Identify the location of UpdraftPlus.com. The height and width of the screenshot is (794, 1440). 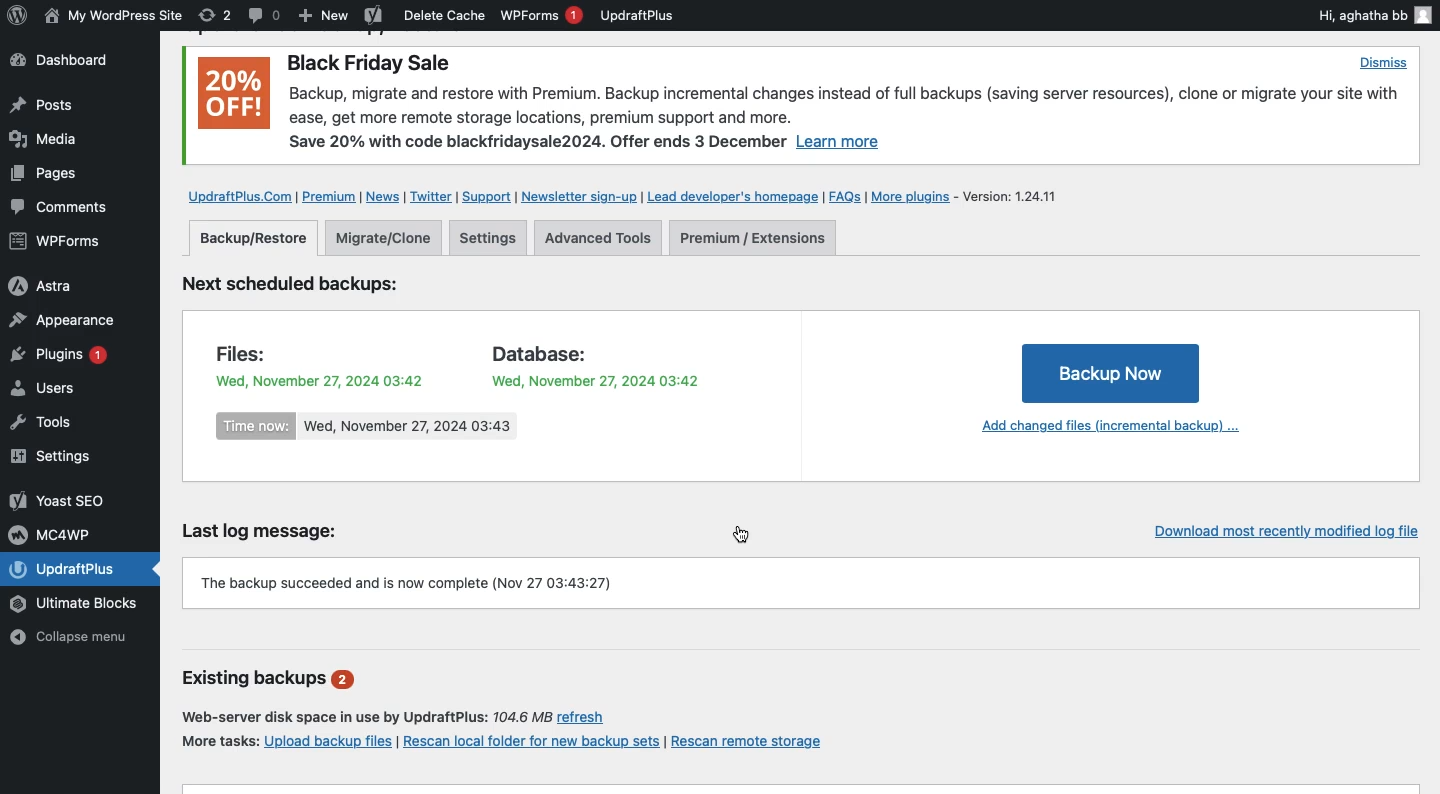
(241, 196).